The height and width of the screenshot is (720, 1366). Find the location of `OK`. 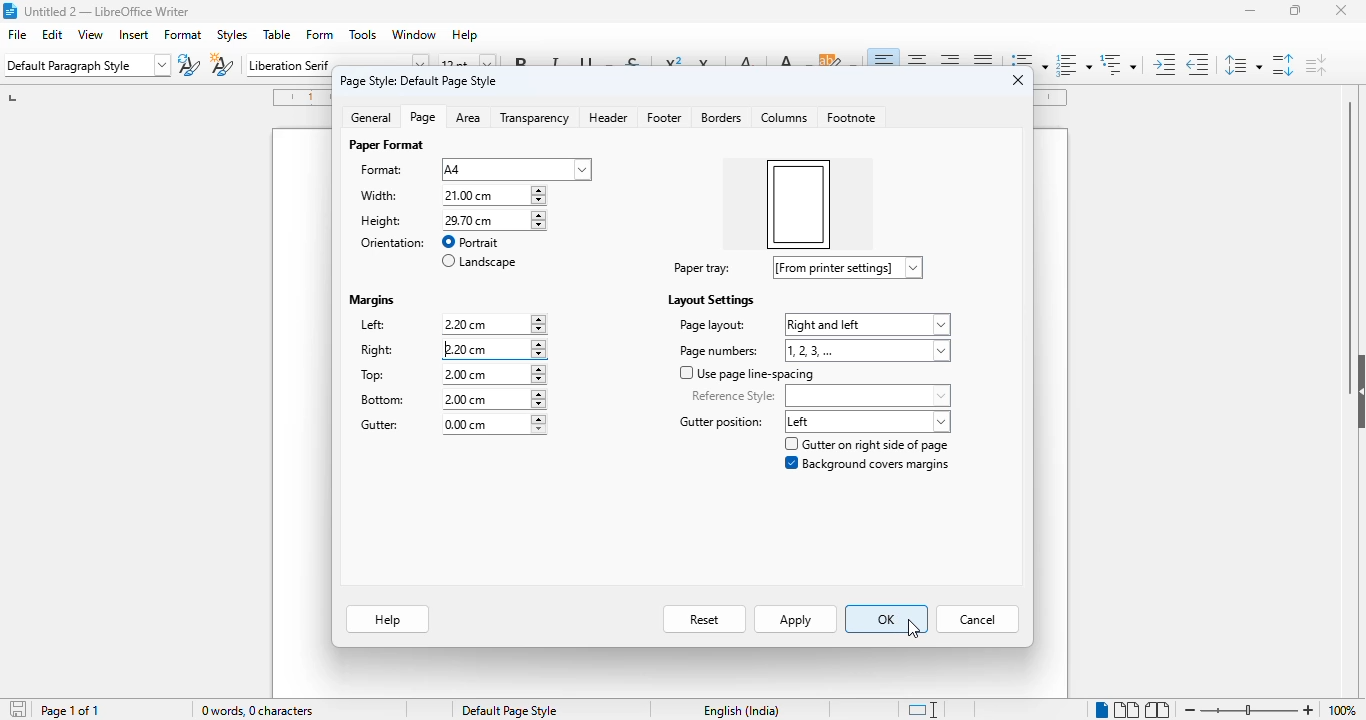

OK is located at coordinates (888, 619).